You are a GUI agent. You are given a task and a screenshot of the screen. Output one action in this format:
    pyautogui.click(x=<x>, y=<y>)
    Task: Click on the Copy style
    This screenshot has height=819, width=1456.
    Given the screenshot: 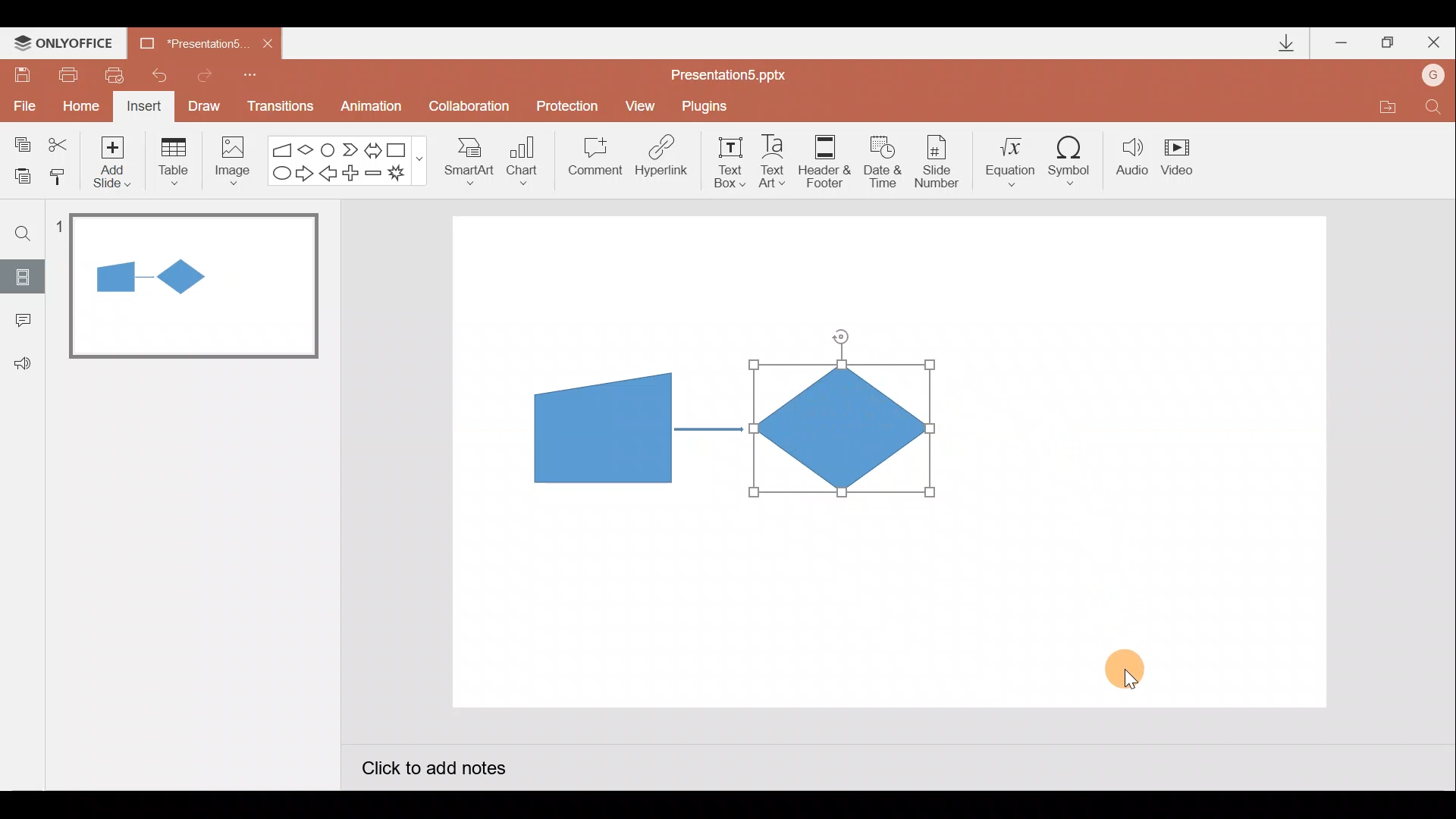 What is the action you would take?
    pyautogui.click(x=59, y=174)
    